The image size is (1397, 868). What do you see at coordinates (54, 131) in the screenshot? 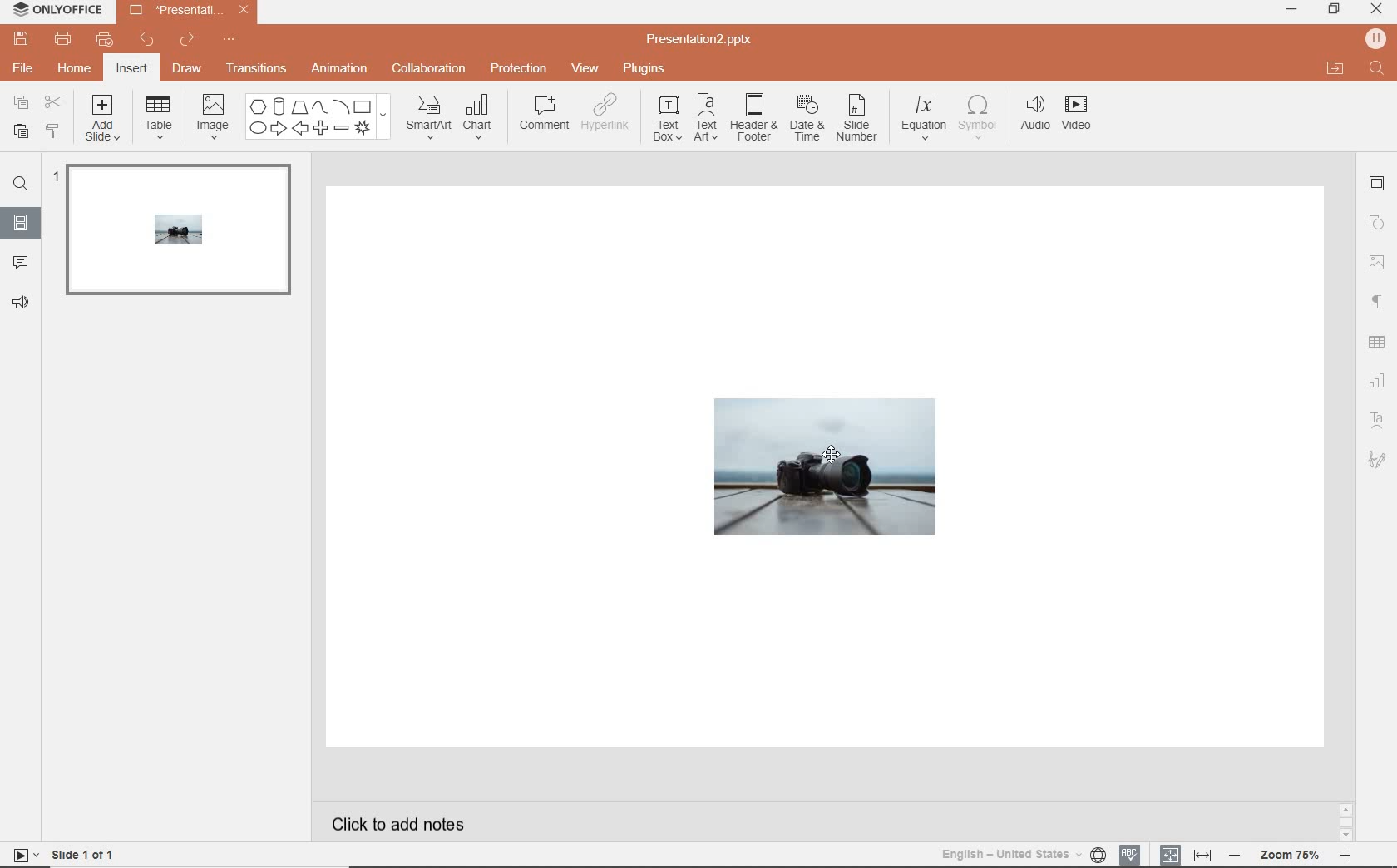
I see `copy style` at bounding box center [54, 131].